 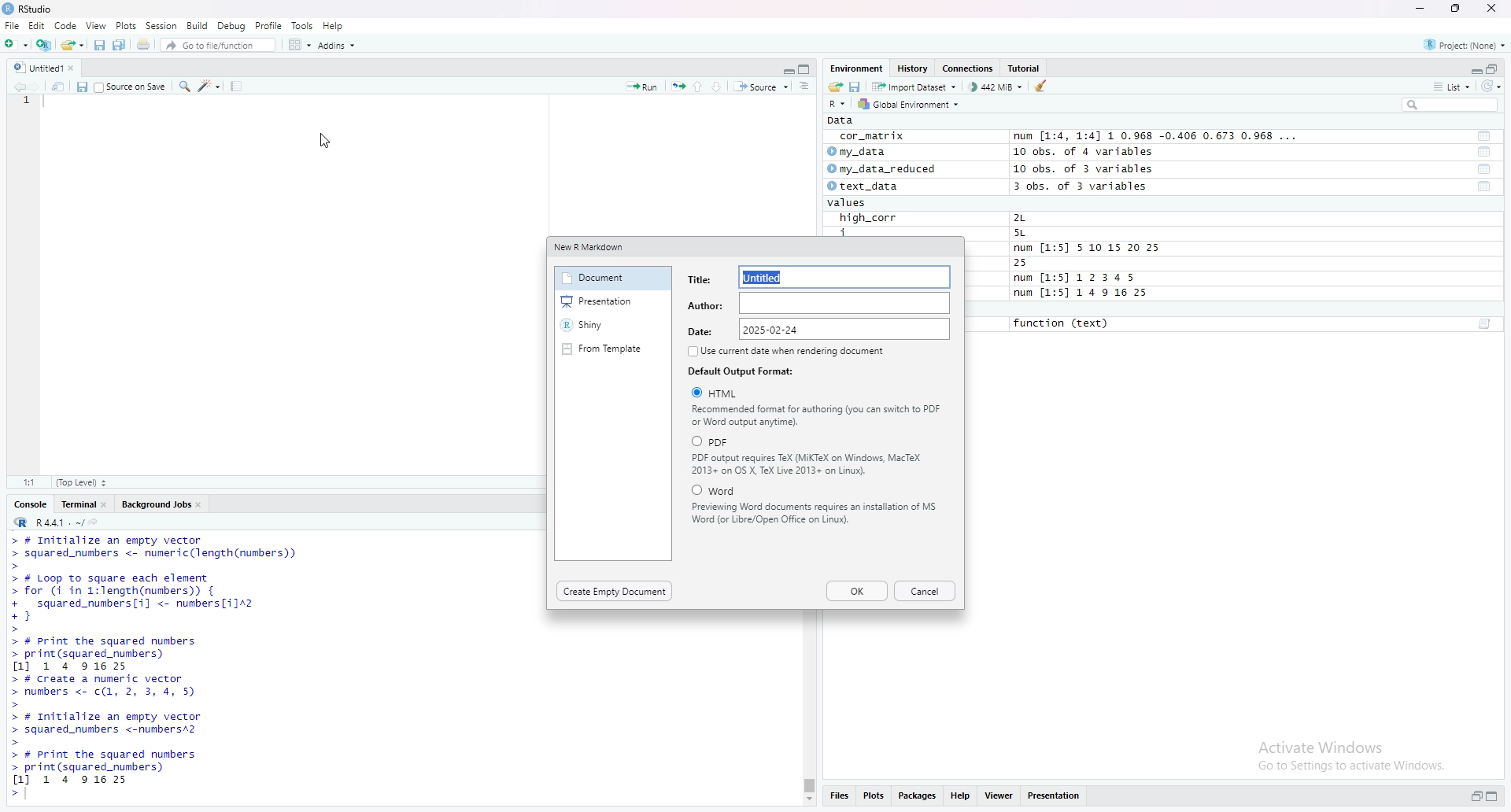 I want to click on re-run the previoud code region, so click(x=678, y=87).